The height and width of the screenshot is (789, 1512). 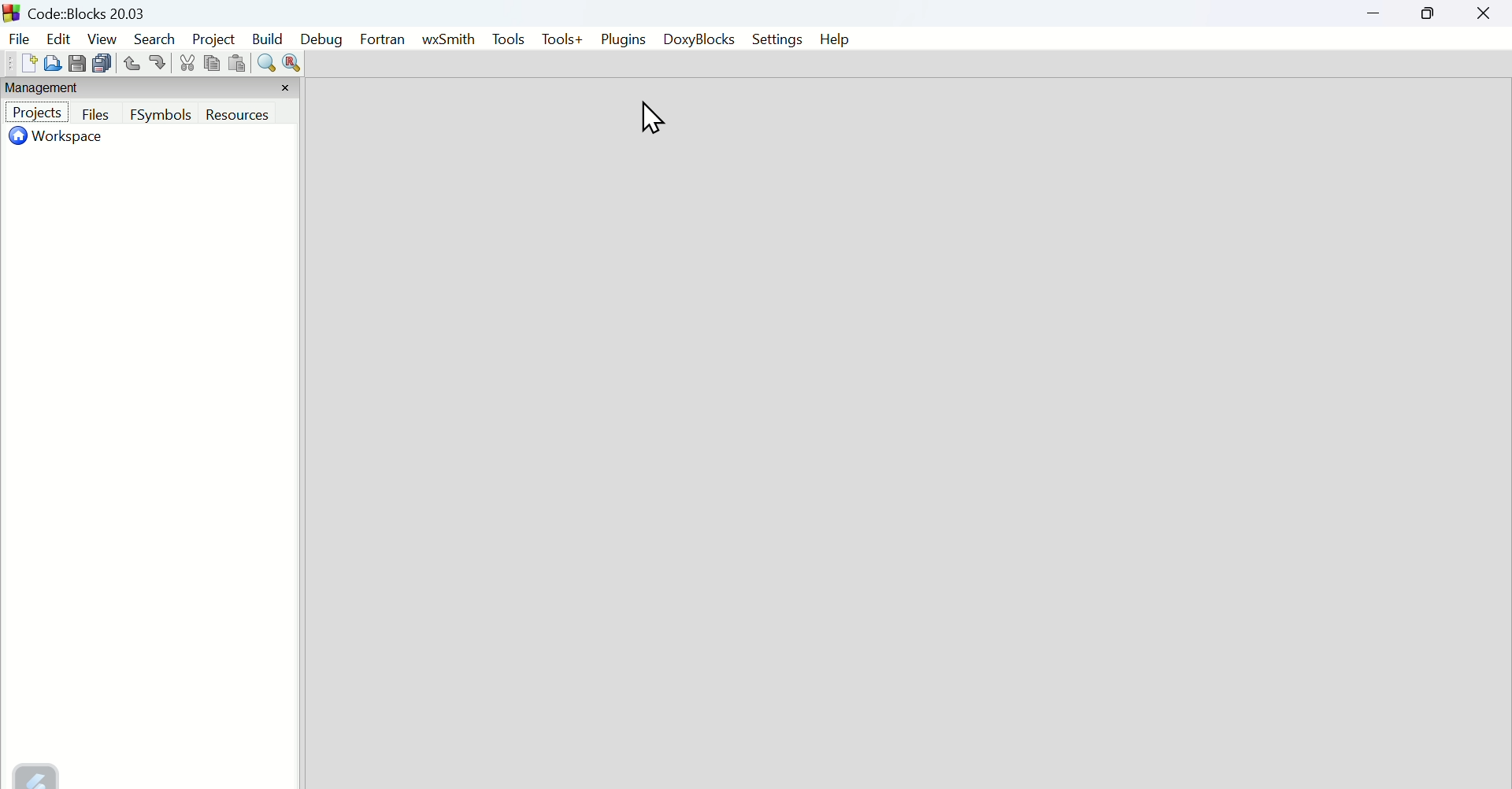 I want to click on Fortran, so click(x=383, y=40).